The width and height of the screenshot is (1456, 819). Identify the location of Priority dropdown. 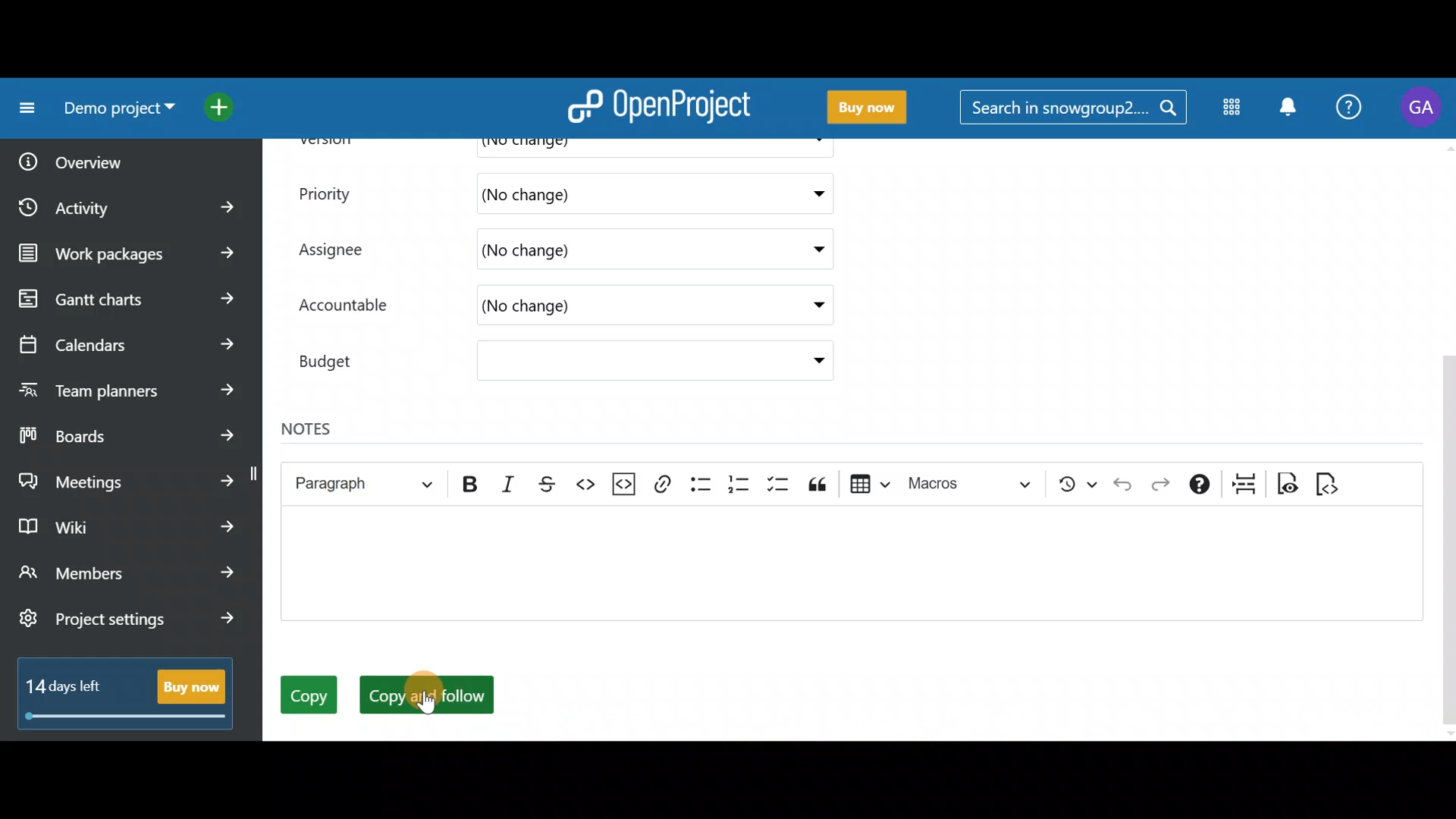
(815, 193).